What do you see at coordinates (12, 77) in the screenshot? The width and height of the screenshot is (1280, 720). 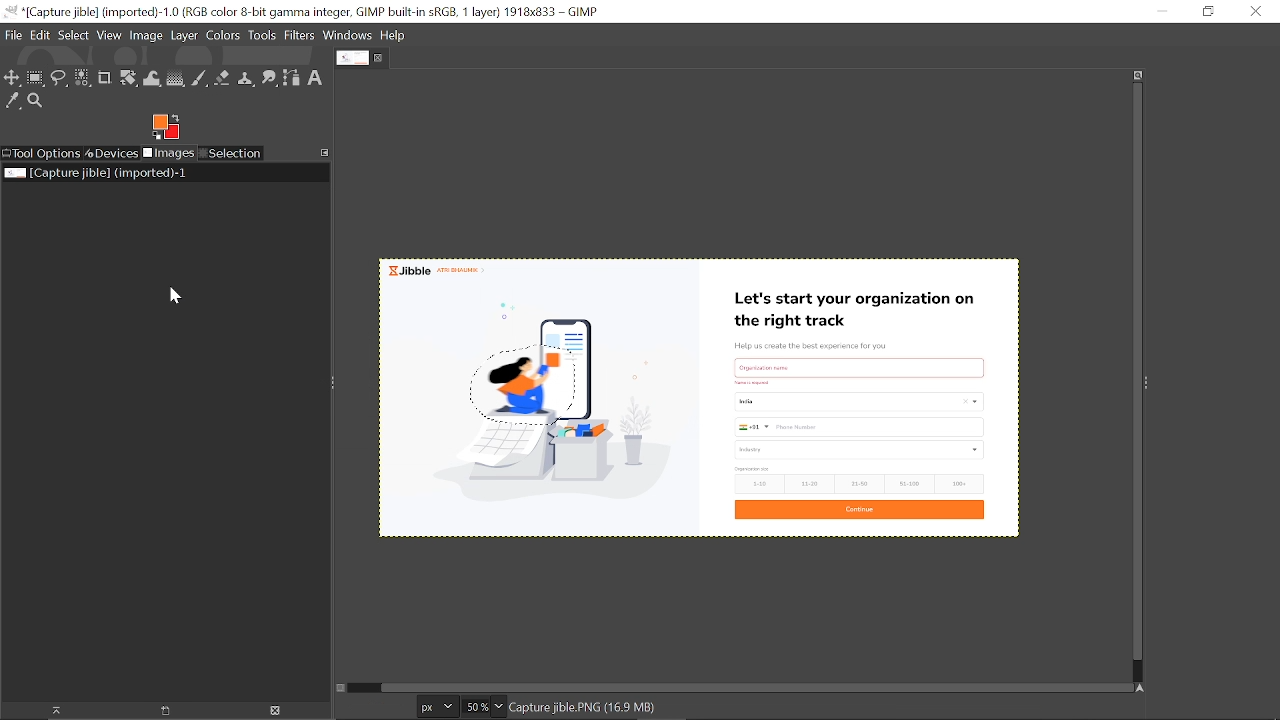 I see `Move tool` at bounding box center [12, 77].